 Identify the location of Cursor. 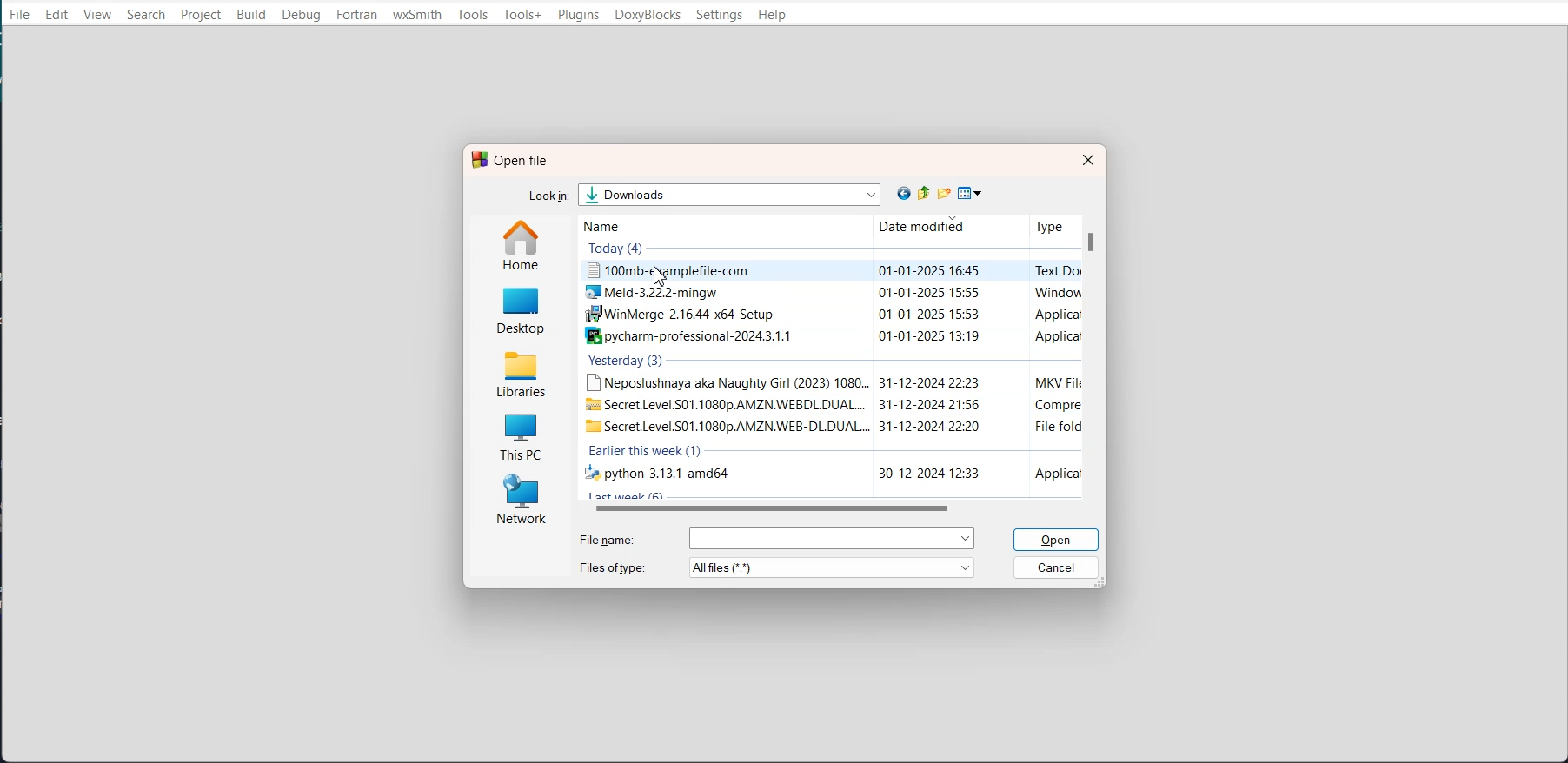
(659, 275).